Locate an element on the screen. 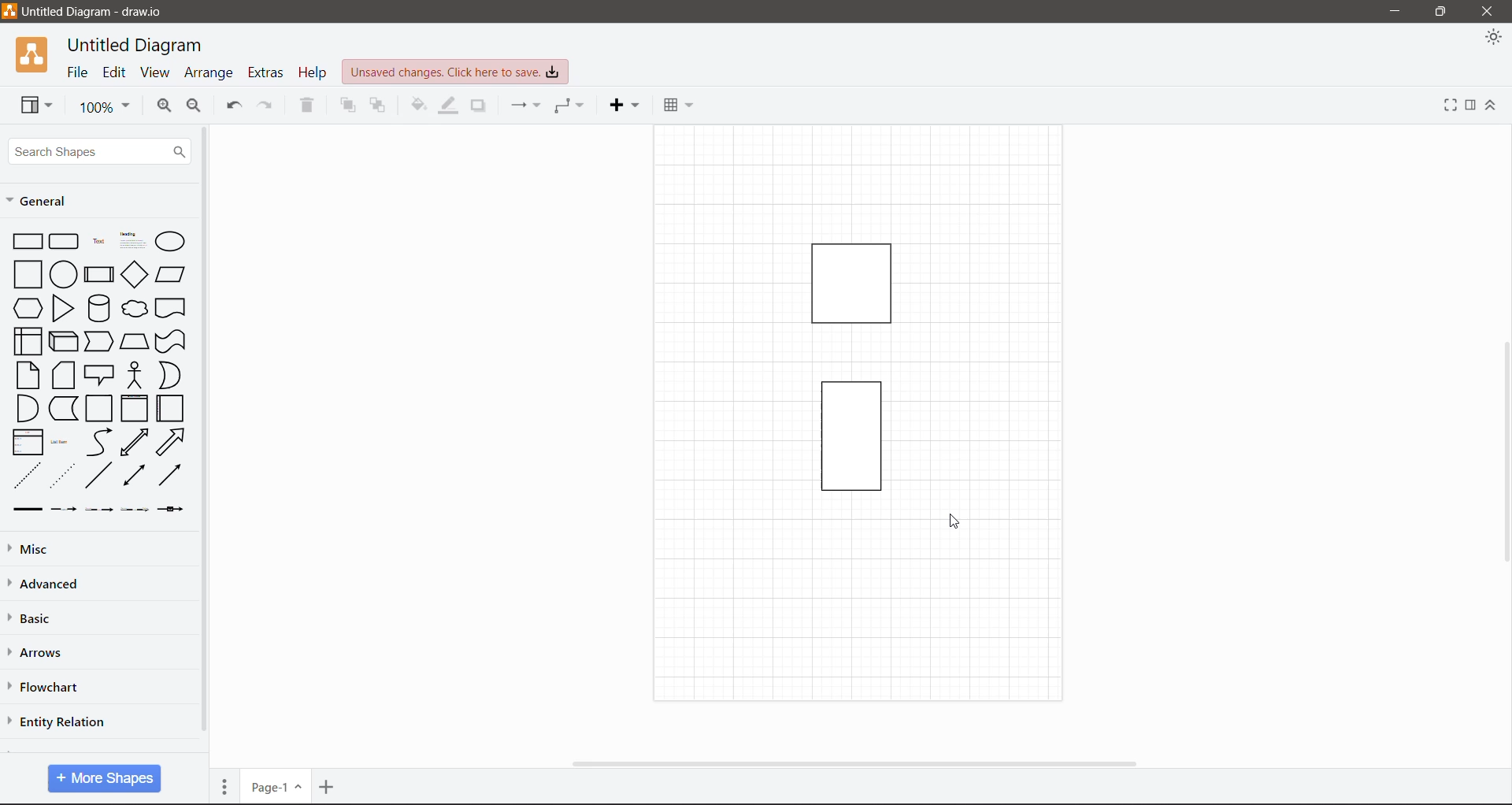 The width and height of the screenshot is (1512, 805). Zoom is located at coordinates (102, 106).